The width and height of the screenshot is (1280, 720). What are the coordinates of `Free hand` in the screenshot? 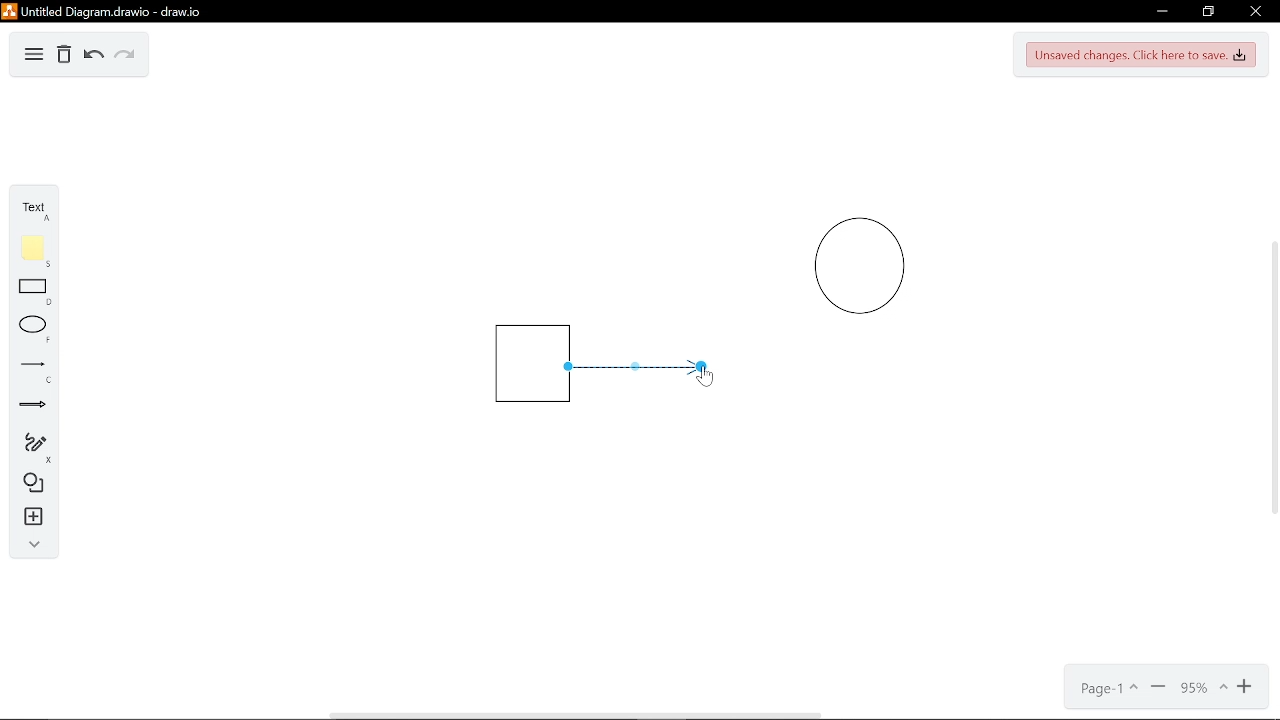 It's located at (27, 446).